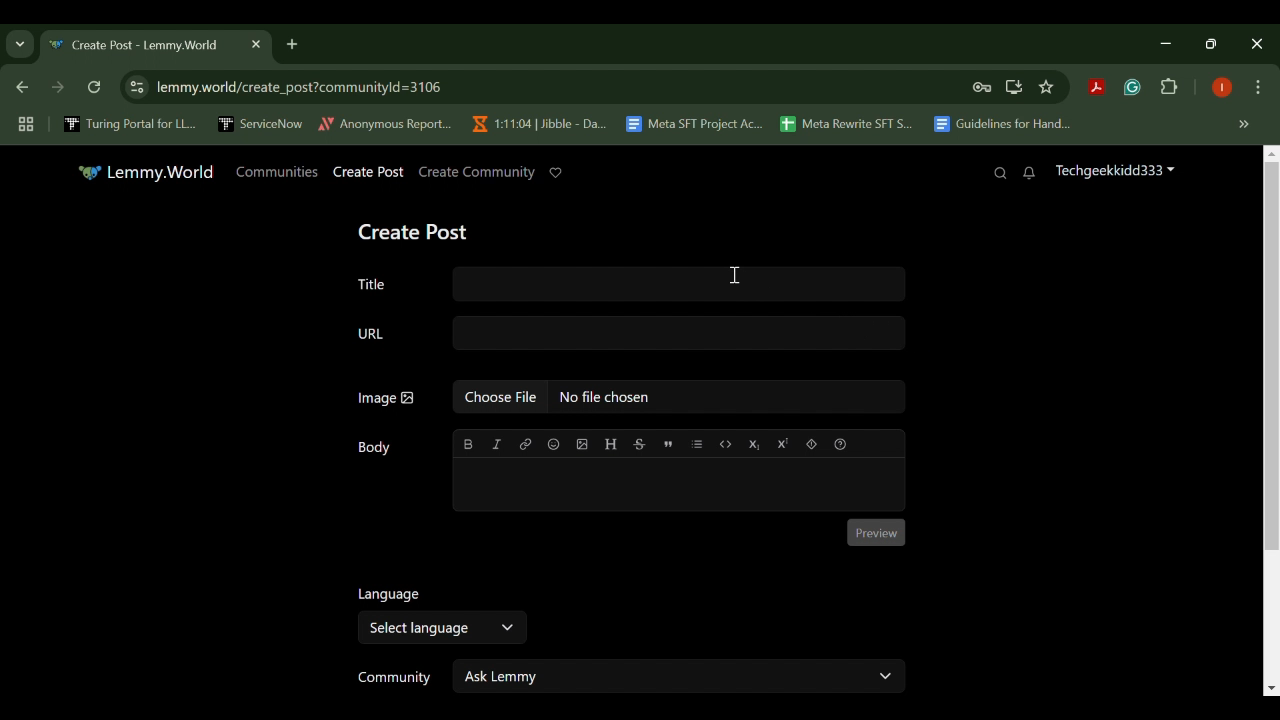  What do you see at coordinates (582, 444) in the screenshot?
I see `upload image` at bounding box center [582, 444].